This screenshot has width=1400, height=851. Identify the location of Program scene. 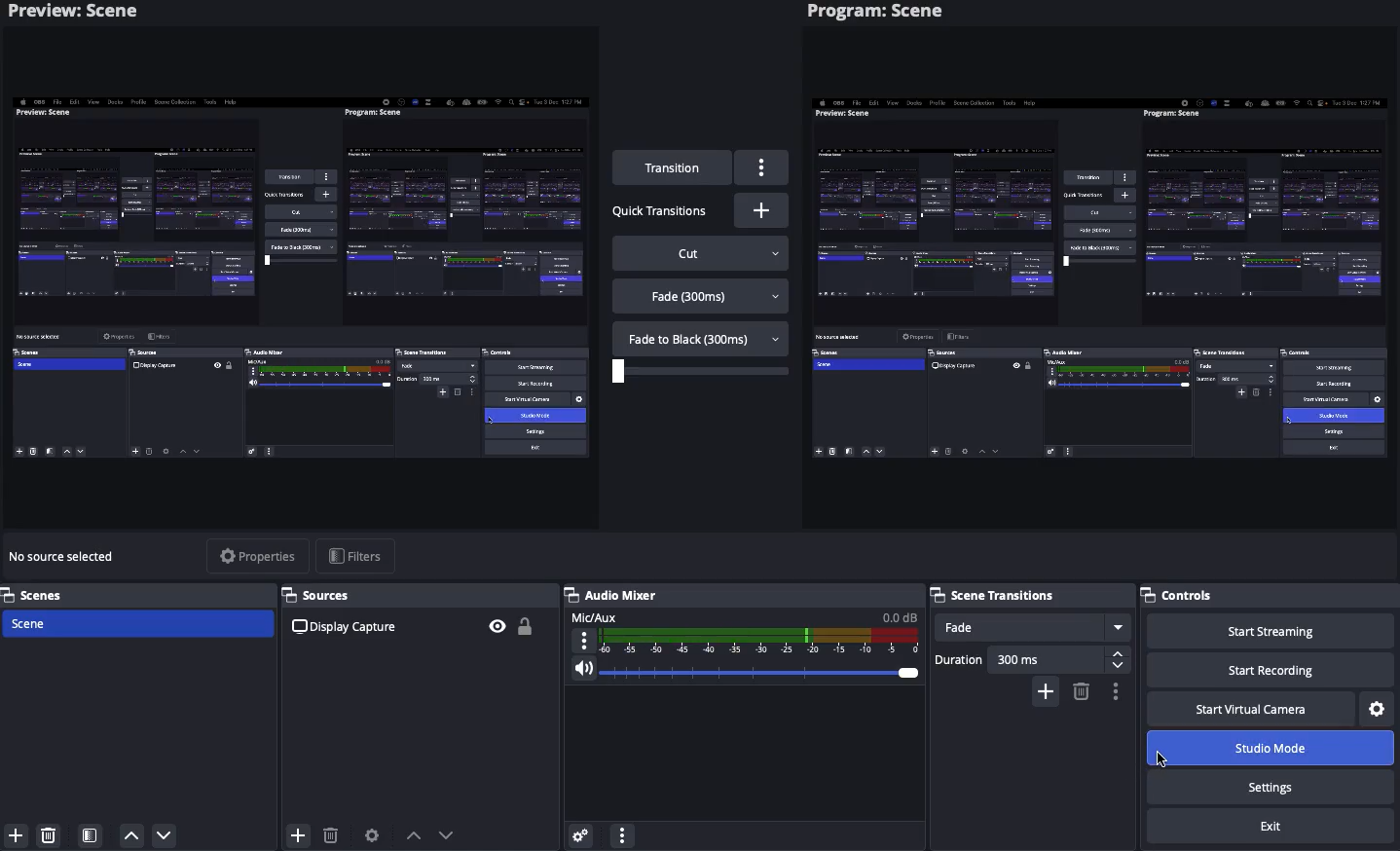
(879, 13).